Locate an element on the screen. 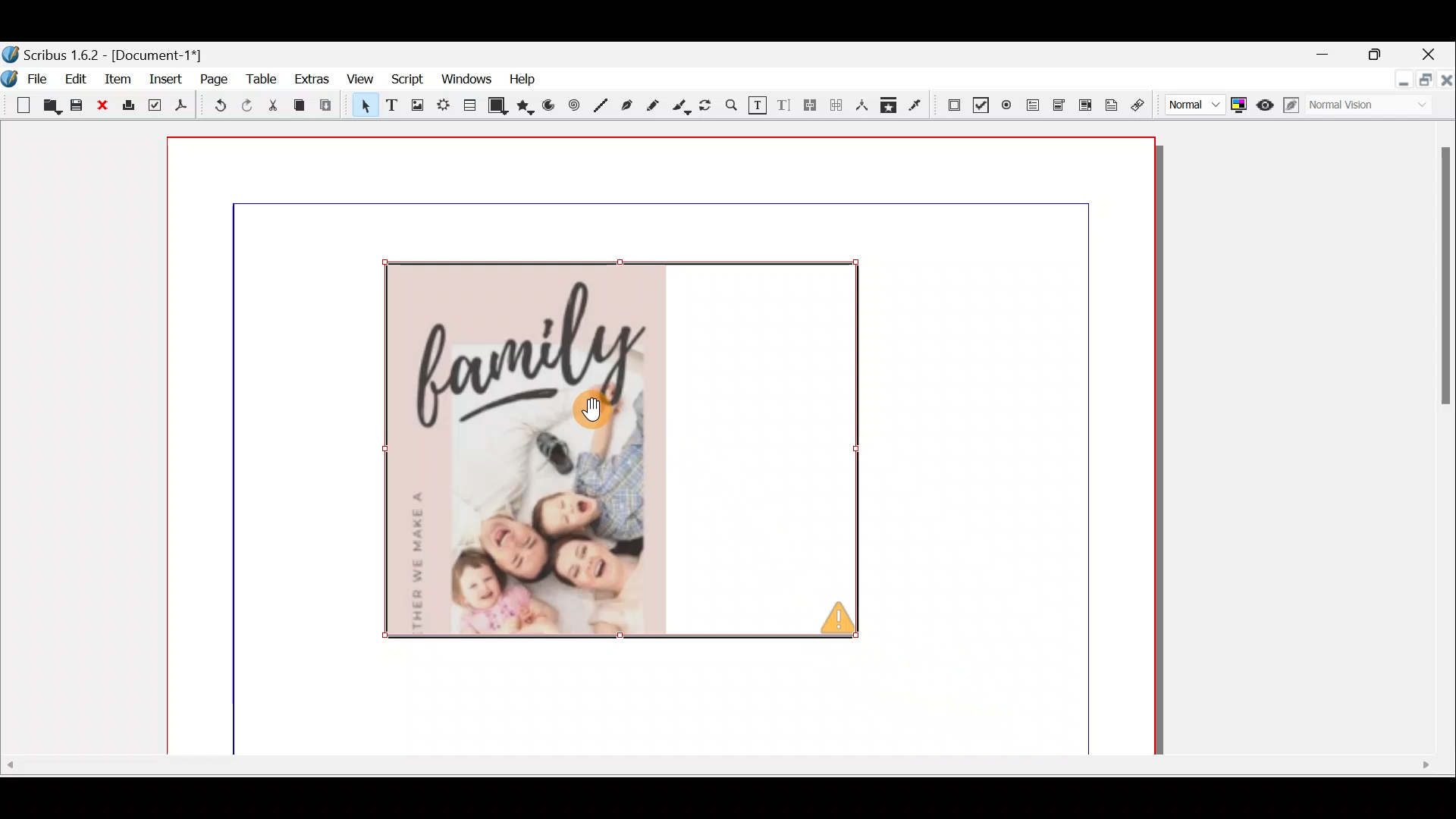 Image resolution: width=1456 pixels, height=819 pixels. Freehand line is located at coordinates (651, 106).